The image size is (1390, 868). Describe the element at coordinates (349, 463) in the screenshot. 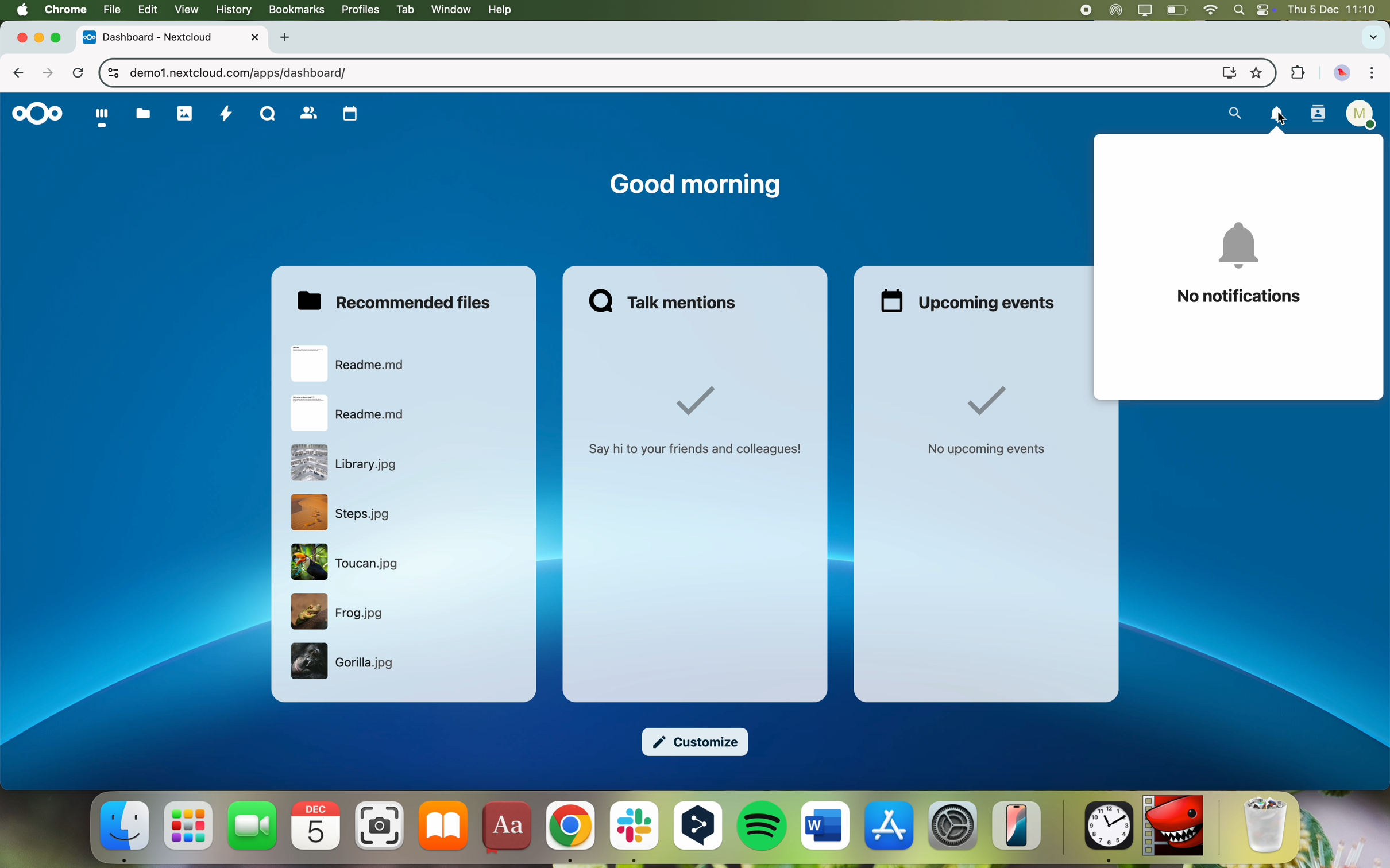

I see `file` at that location.